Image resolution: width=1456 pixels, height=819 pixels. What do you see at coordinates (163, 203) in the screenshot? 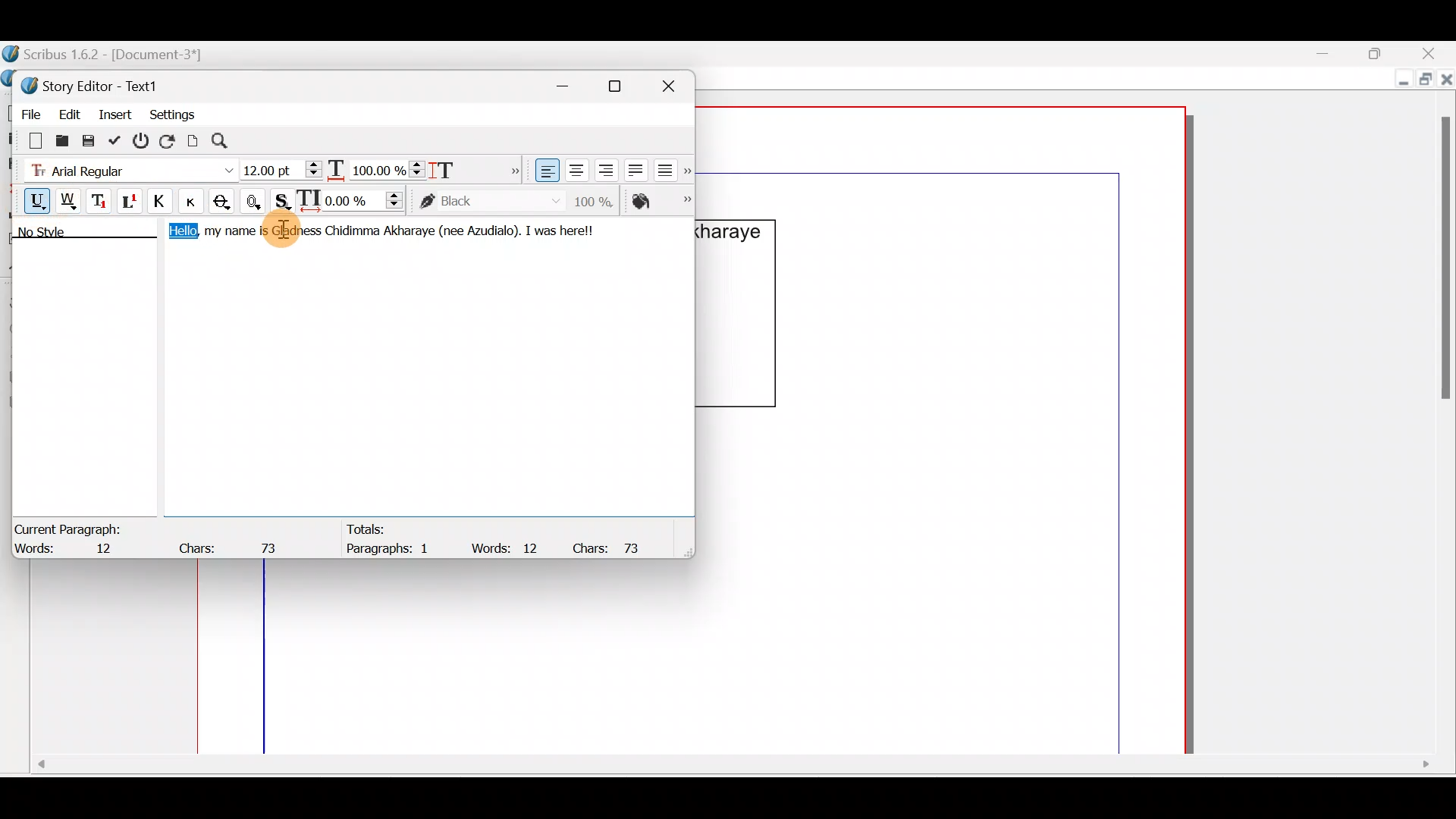
I see `All caps` at bounding box center [163, 203].